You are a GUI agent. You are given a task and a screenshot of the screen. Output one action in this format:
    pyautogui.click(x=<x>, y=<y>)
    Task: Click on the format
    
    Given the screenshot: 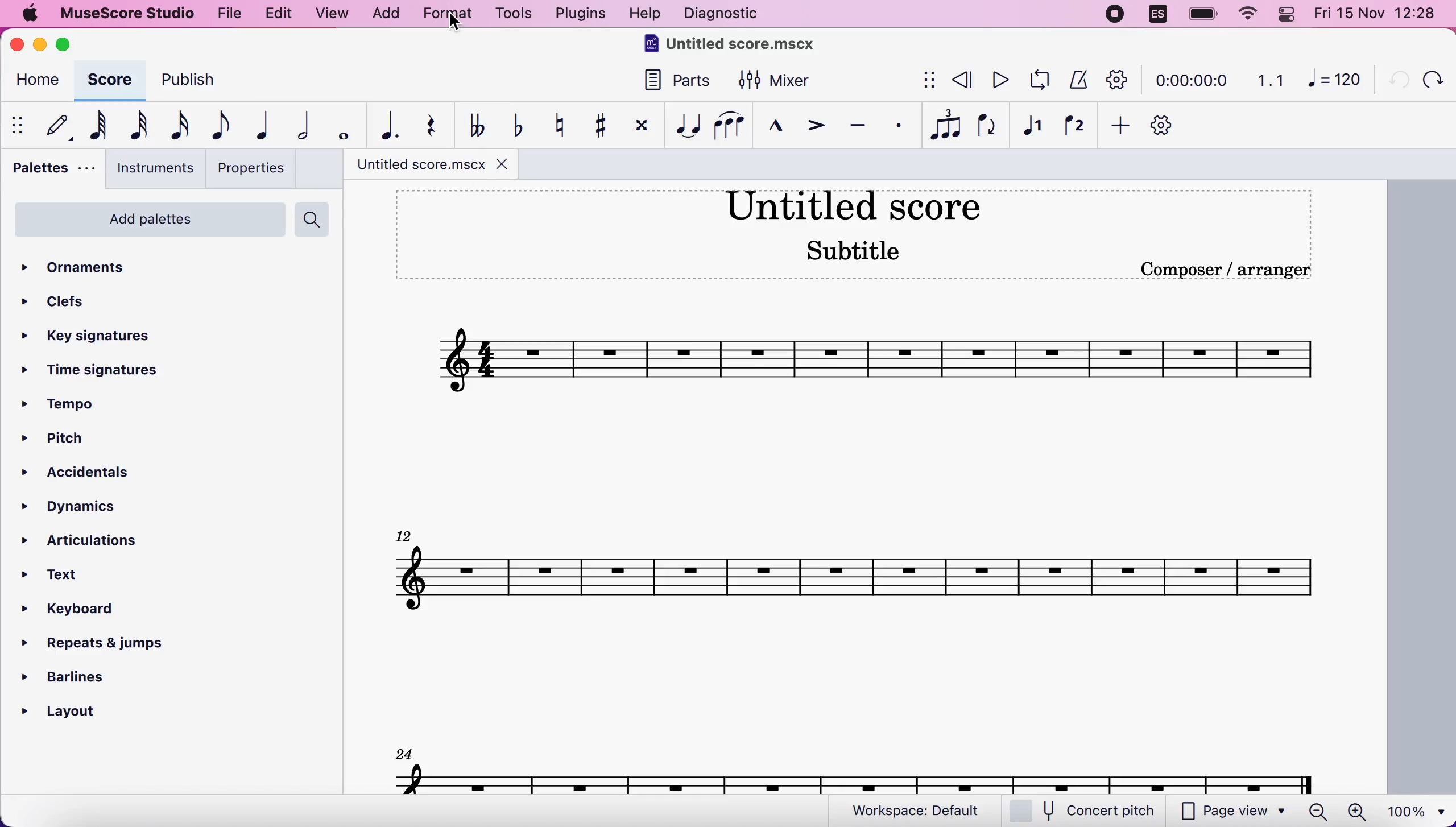 What is the action you would take?
    pyautogui.click(x=447, y=15)
    